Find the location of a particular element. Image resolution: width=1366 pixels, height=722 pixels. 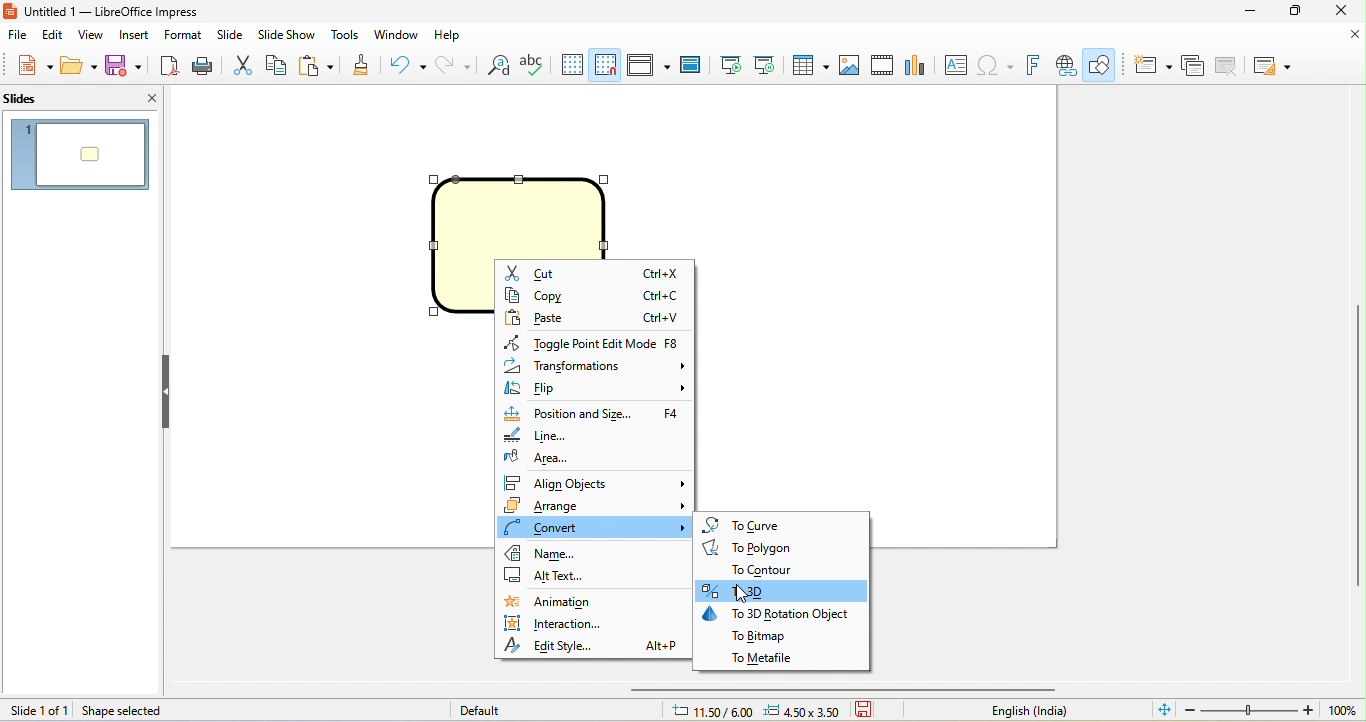

cut is located at coordinates (241, 64).